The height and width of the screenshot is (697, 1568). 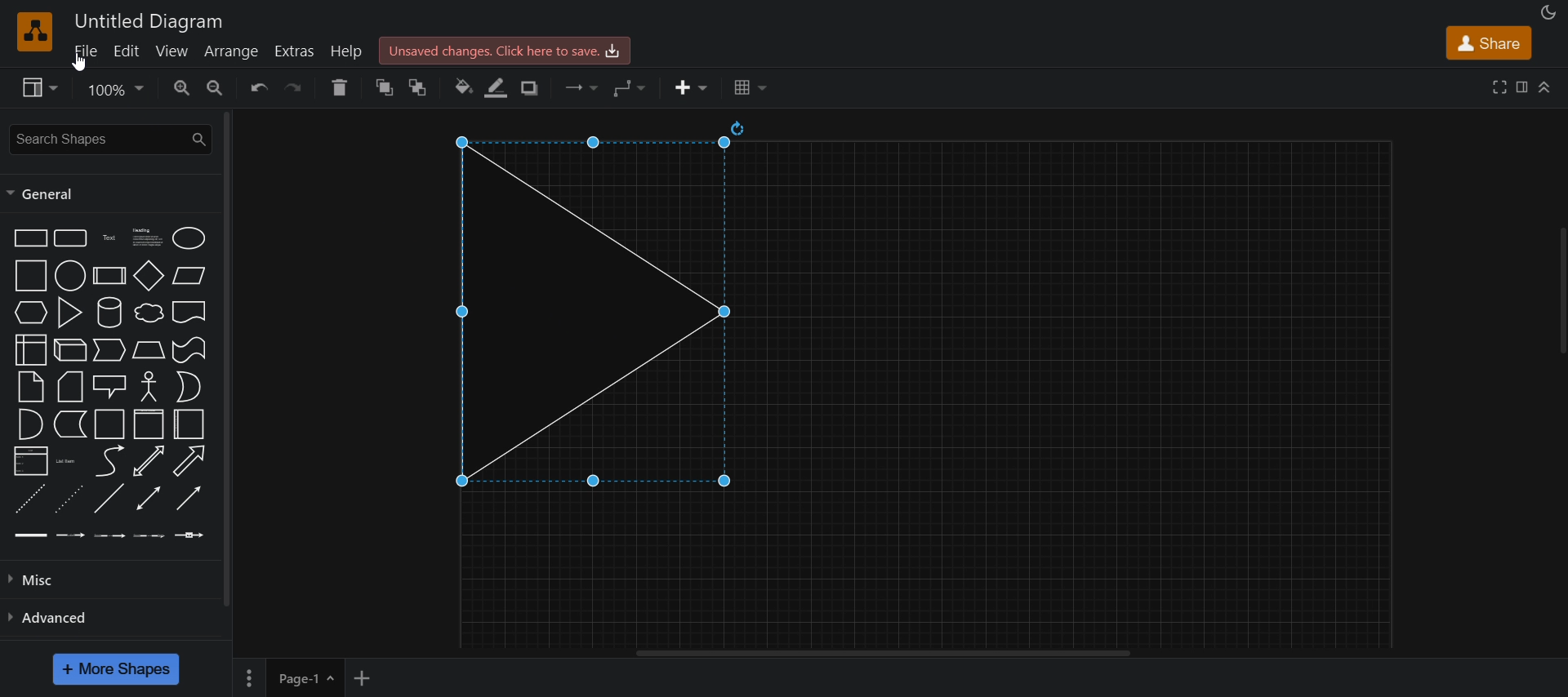 I want to click on actor, so click(x=149, y=385).